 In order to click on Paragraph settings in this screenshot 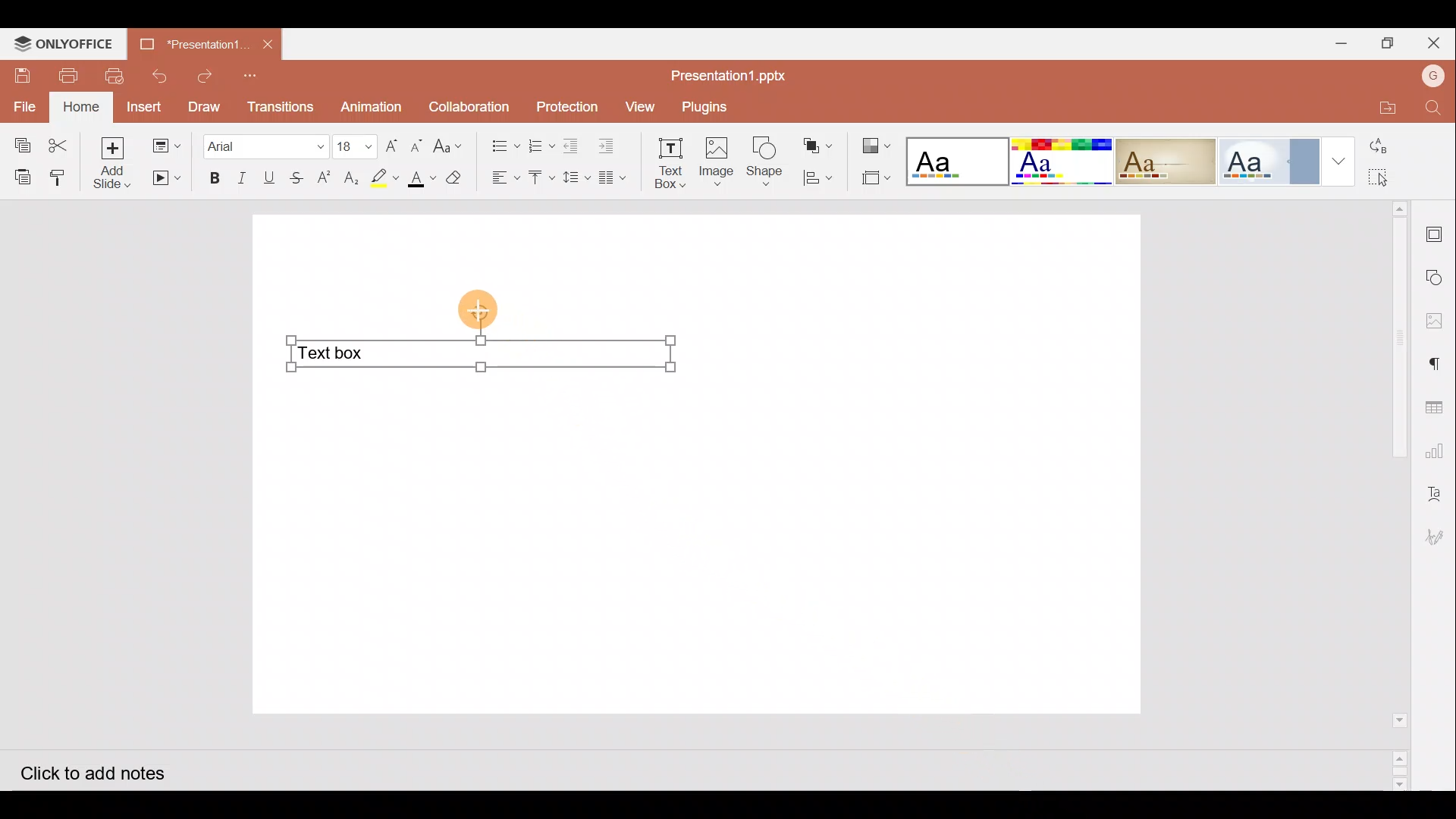, I will do `click(1441, 362)`.